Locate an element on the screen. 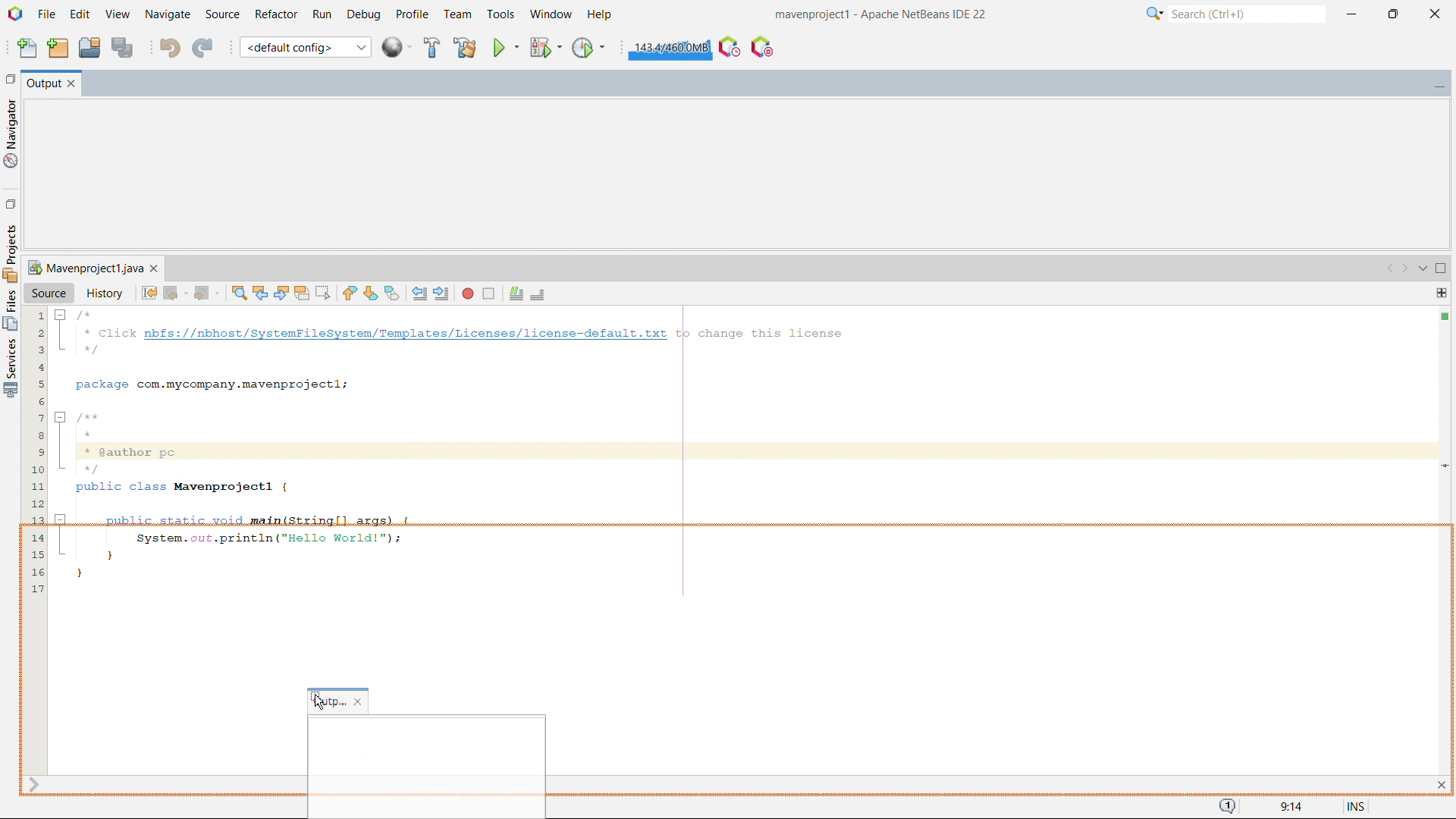 Image resolution: width=1456 pixels, height=819 pixels. window is located at coordinates (551, 14).